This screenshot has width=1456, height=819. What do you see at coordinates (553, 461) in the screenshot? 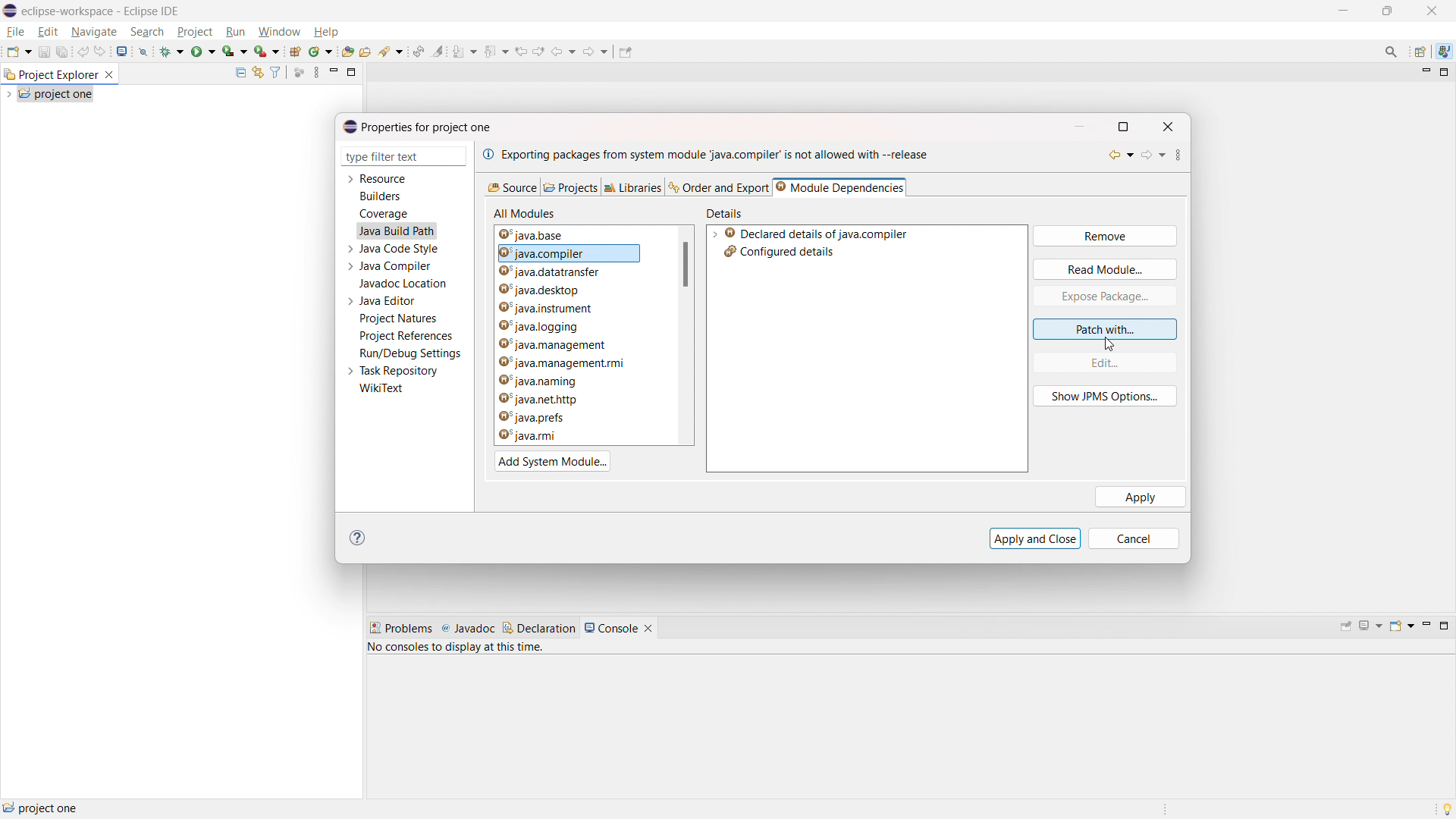
I see `add system module` at bounding box center [553, 461].